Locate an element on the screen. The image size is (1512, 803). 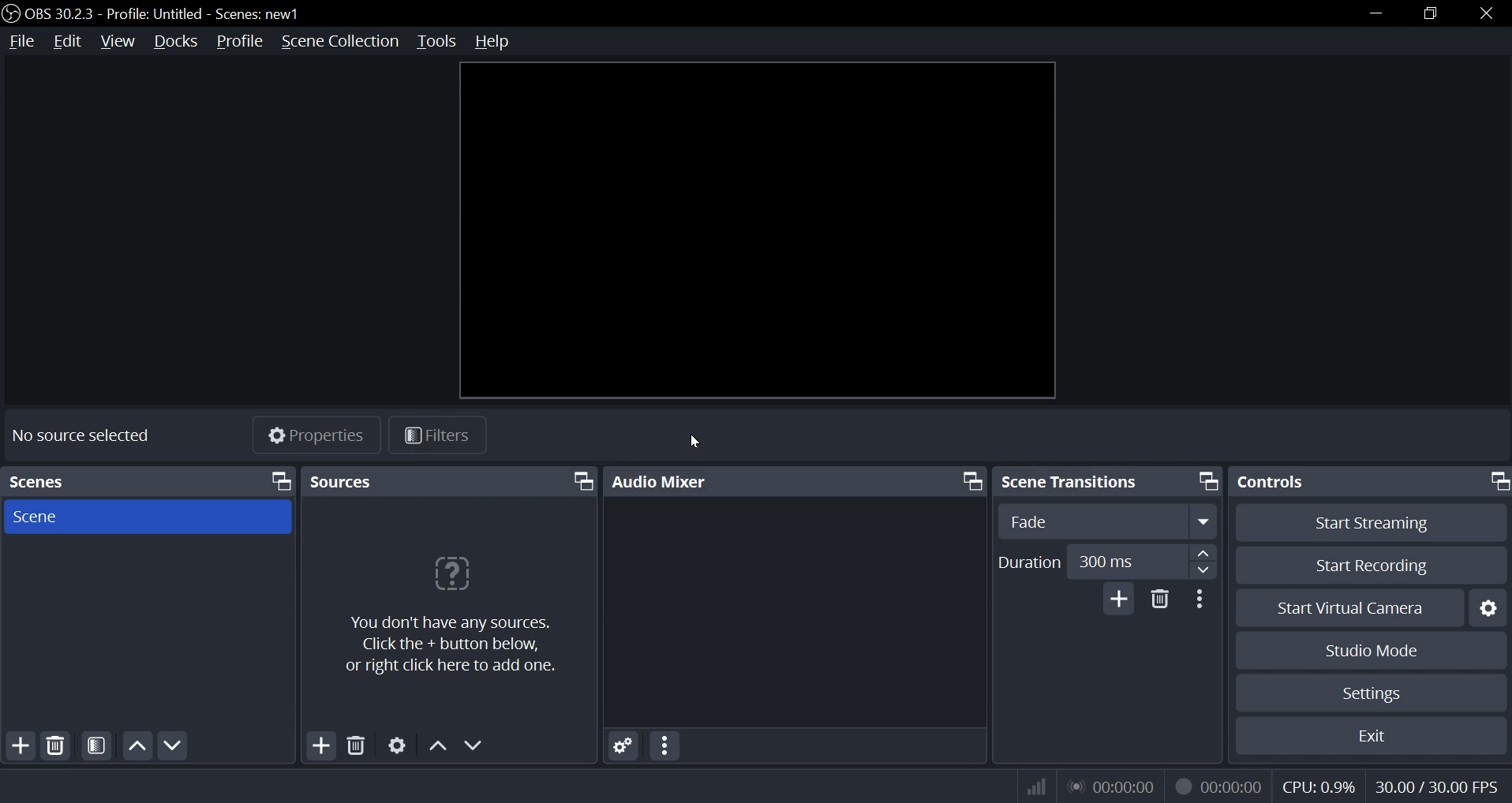
expand is located at coordinates (1204, 521).